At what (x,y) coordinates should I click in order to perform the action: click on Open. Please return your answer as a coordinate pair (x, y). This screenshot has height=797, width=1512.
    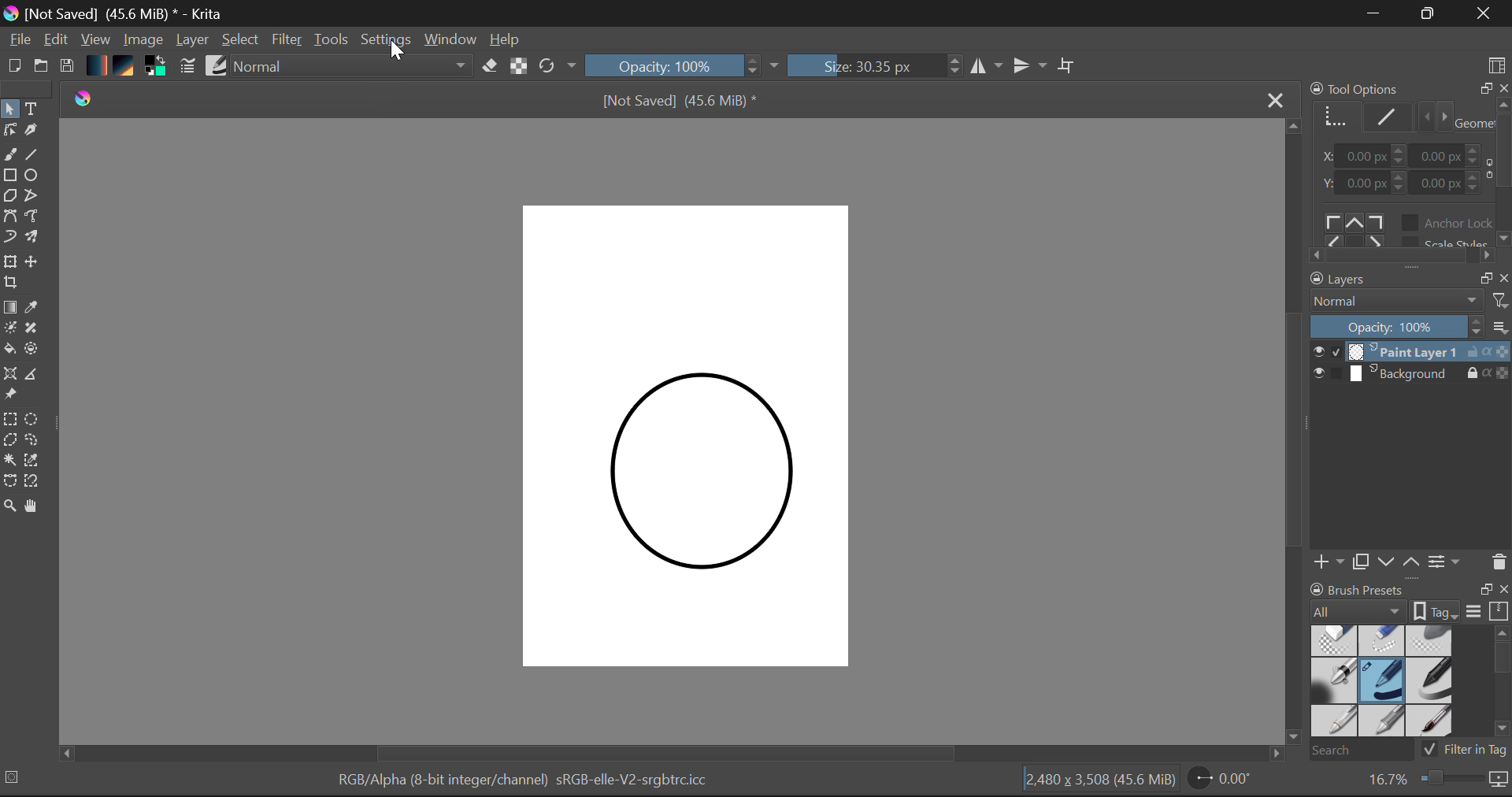
    Looking at the image, I should click on (41, 67).